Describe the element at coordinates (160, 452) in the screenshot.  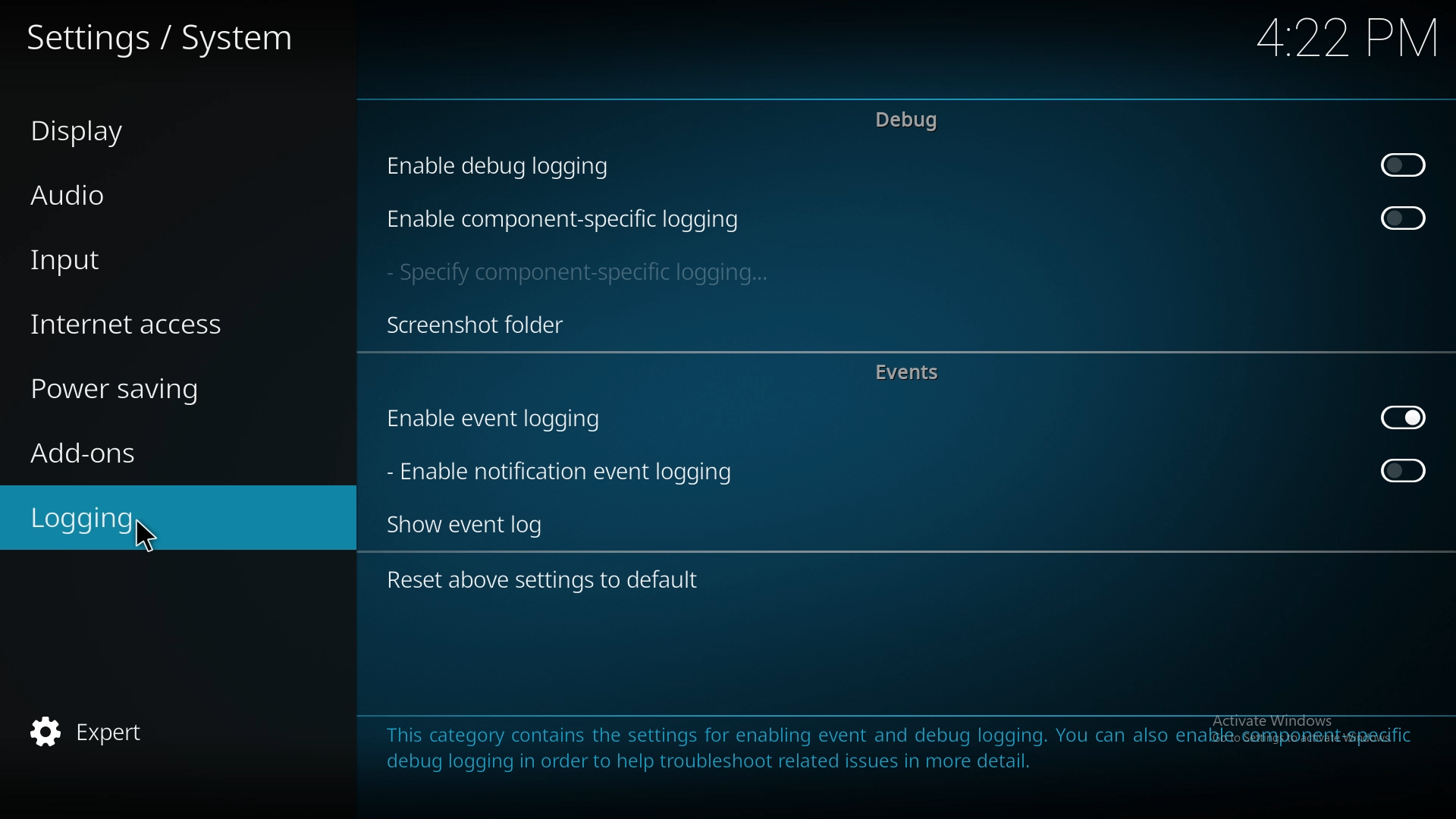
I see `add ons` at that location.